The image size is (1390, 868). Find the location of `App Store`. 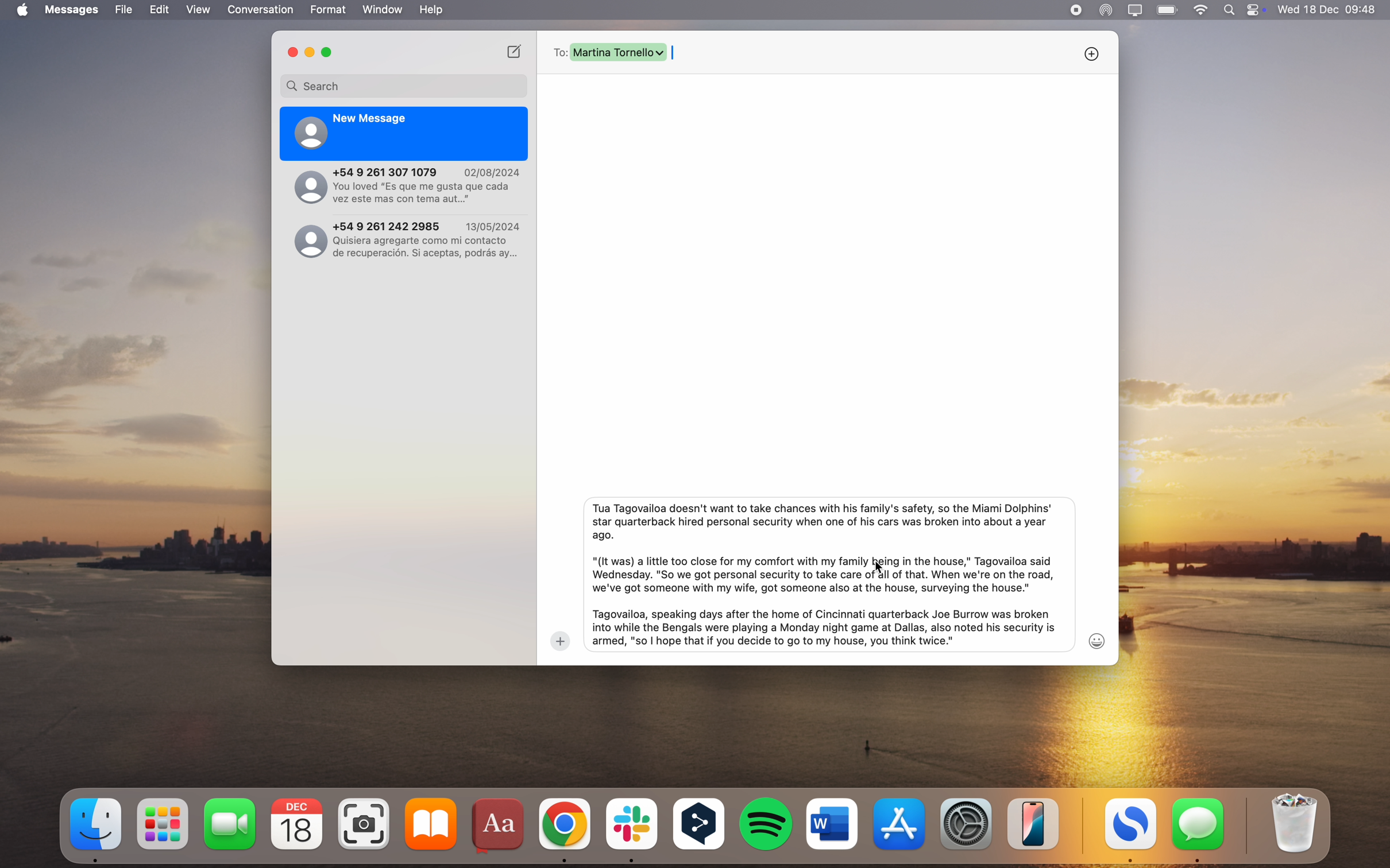

App Store is located at coordinates (902, 823).